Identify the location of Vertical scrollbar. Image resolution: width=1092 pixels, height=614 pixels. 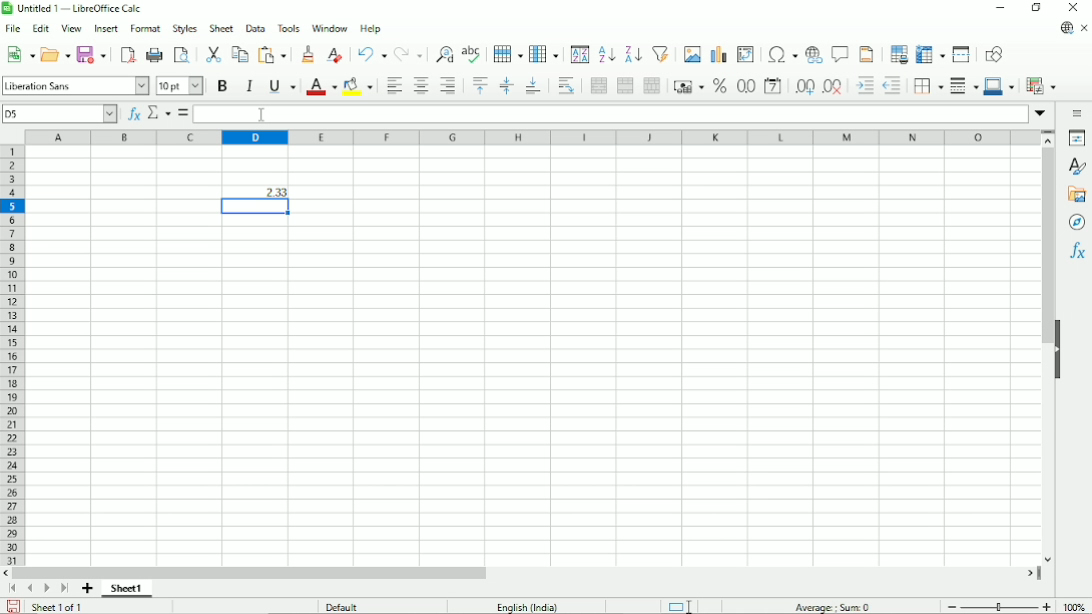
(1048, 355).